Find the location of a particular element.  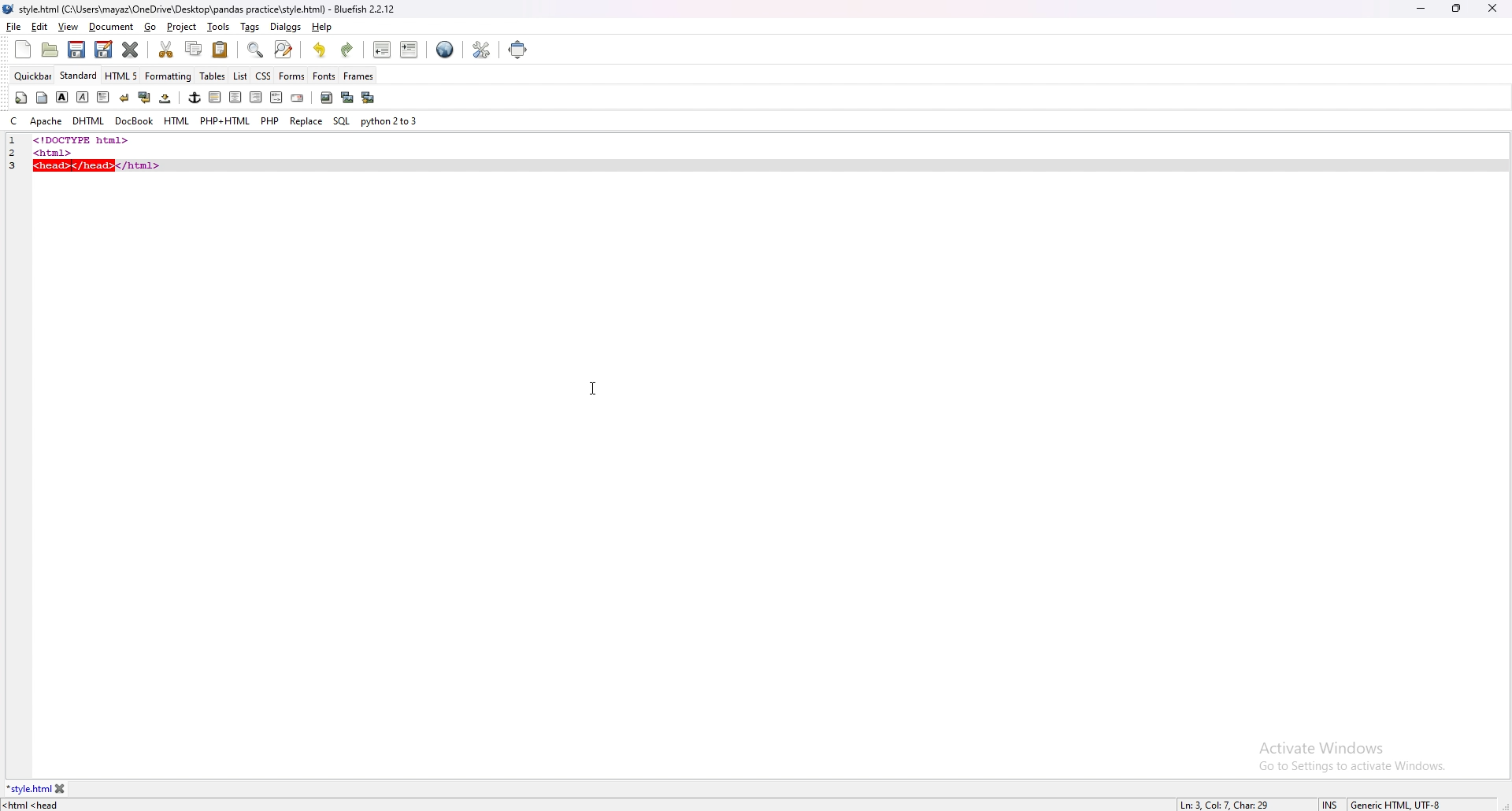

break and clear is located at coordinates (143, 98).